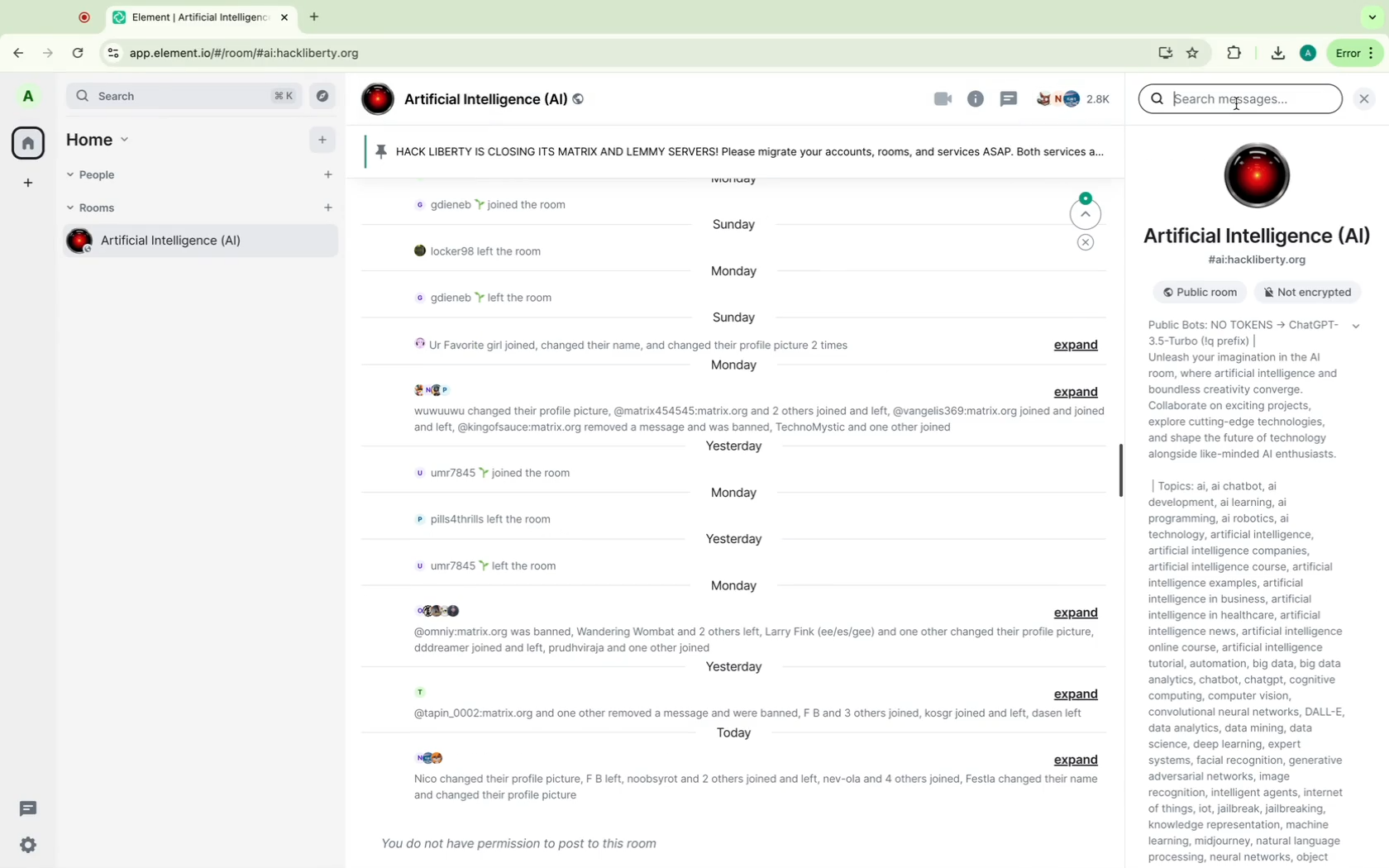  What do you see at coordinates (754, 421) in the screenshot?
I see `message` at bounding box center [754, 421].